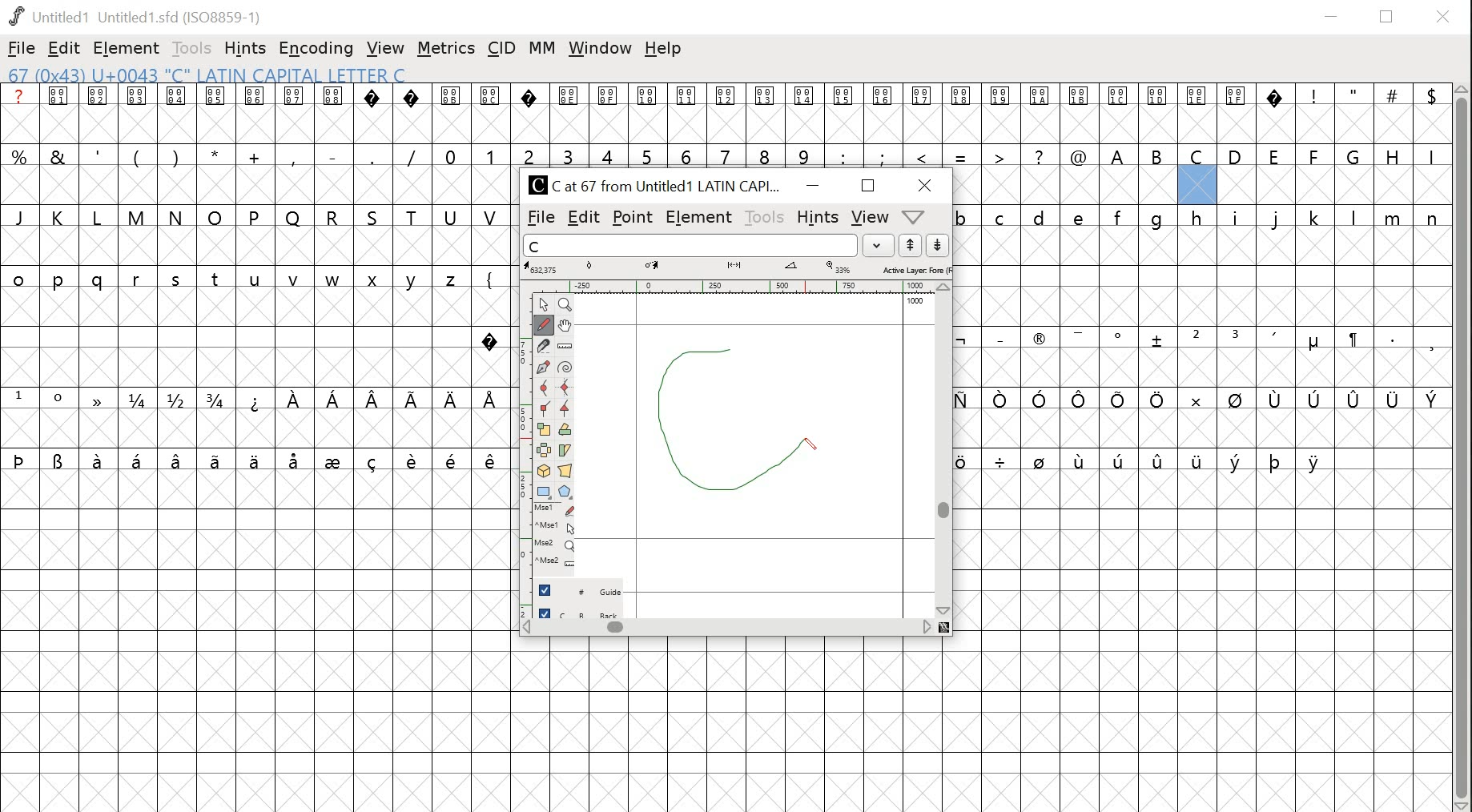 The image size is (1472, 812). Describe the element at coordinates (916, 301) in the screenshot. I see `1000` at that location.